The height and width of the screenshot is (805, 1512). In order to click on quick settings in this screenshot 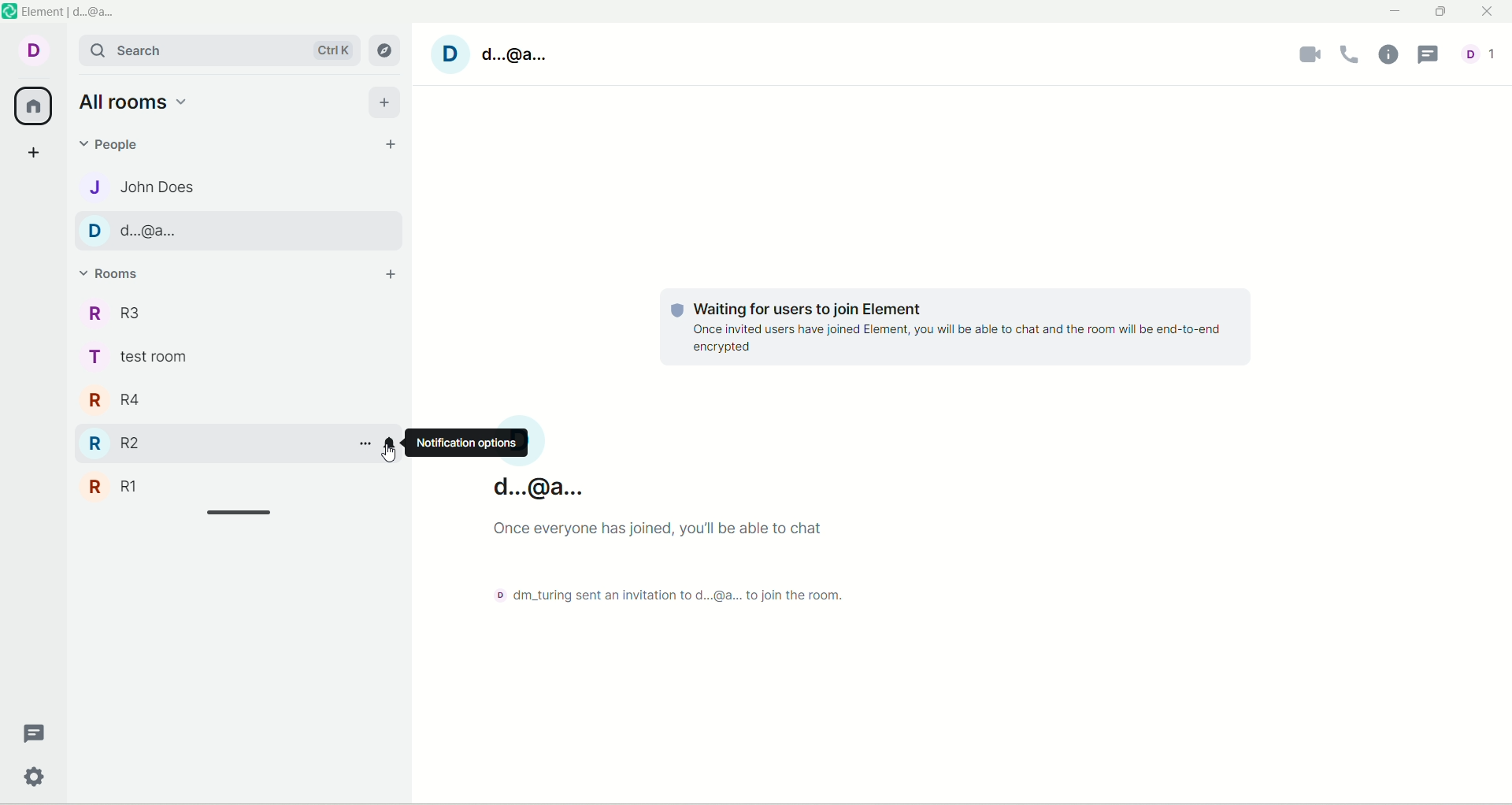, I will do `click(35, 778)`.